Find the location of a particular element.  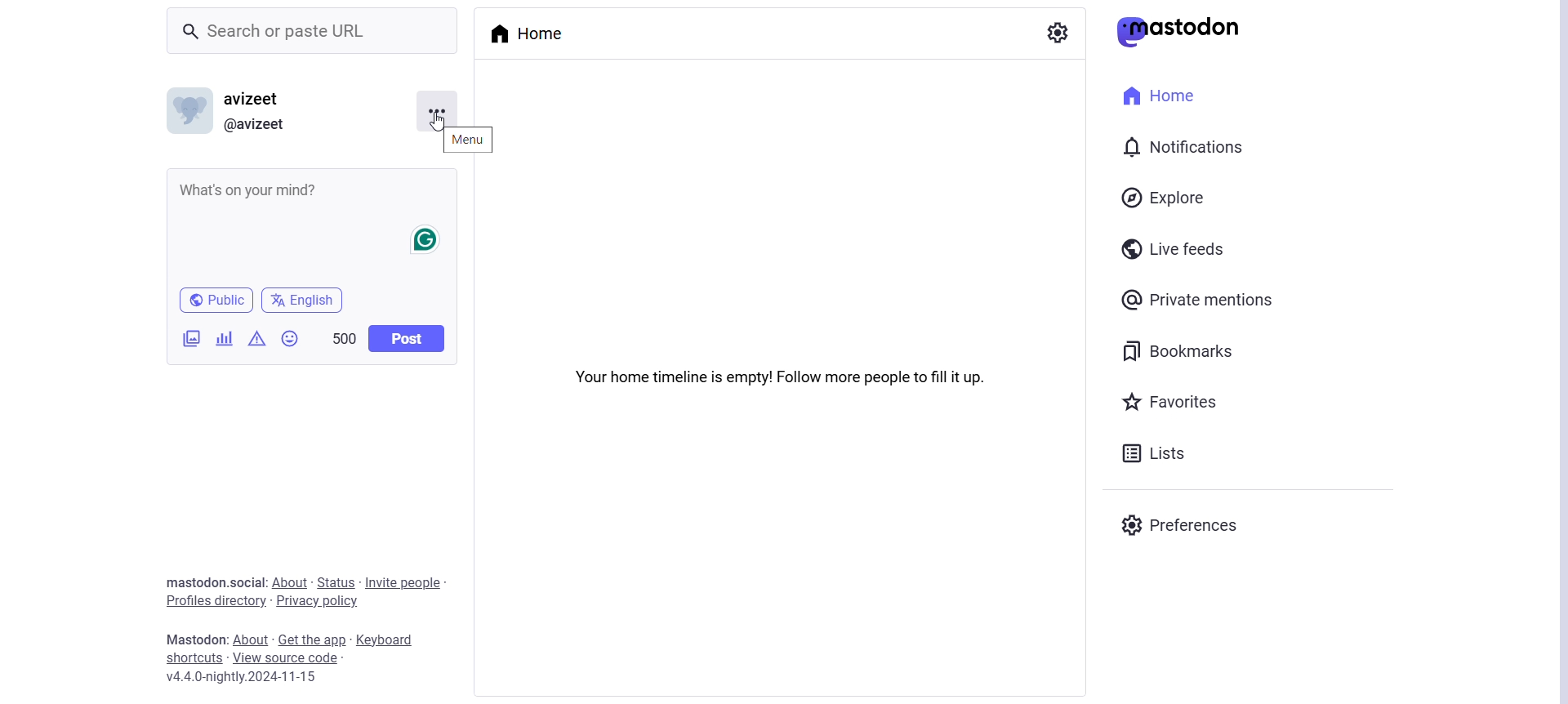

Invite People is located at coordinates (407, 583).